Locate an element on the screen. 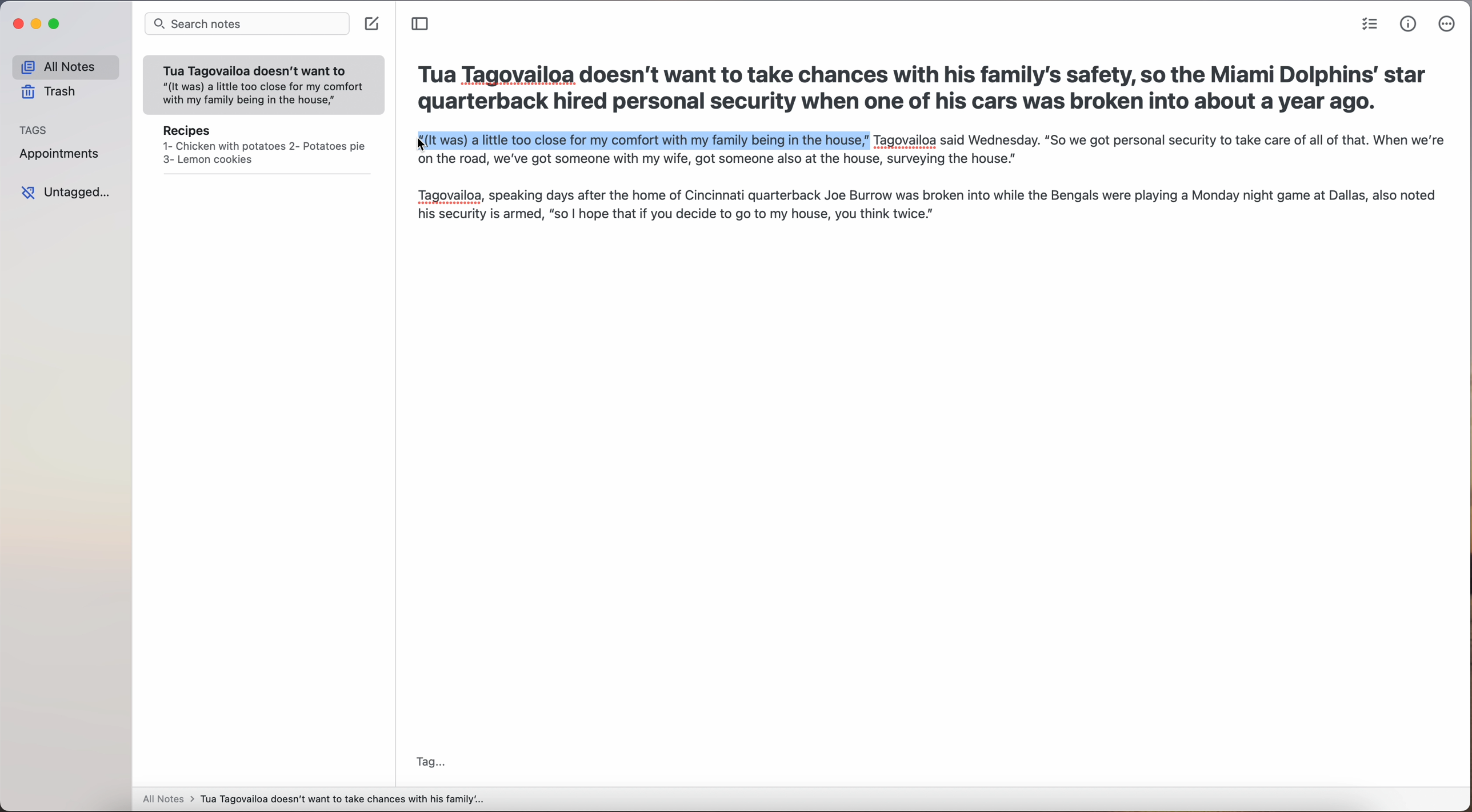 The width and height of the screenshot is (1472, 812). all notes > Tua Tagovailoa doesn't want to take chances with his family' is located at coordinates (314, 801).